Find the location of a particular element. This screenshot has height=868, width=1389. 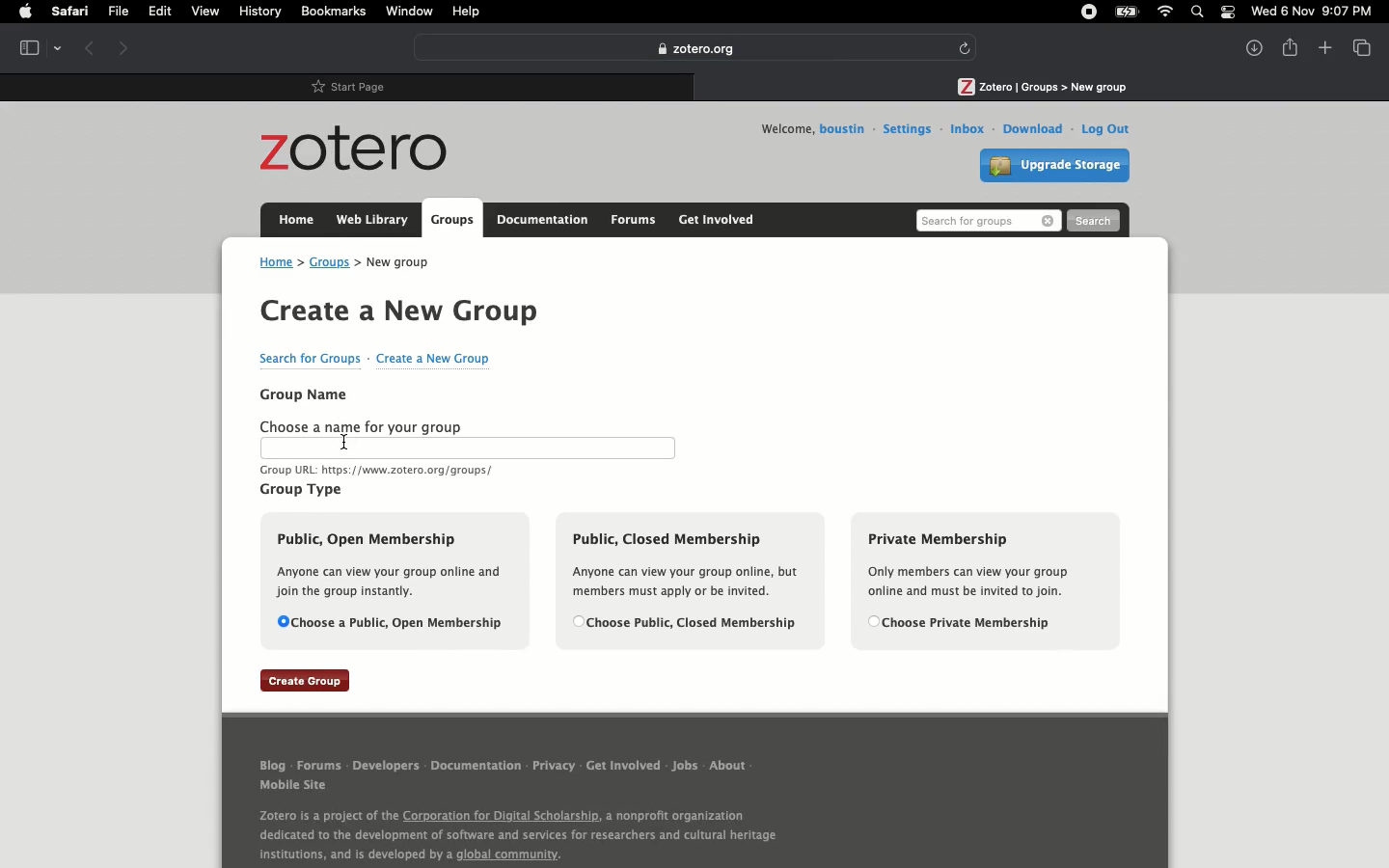

Upgrade storage is located at coordinates (1057, 168).